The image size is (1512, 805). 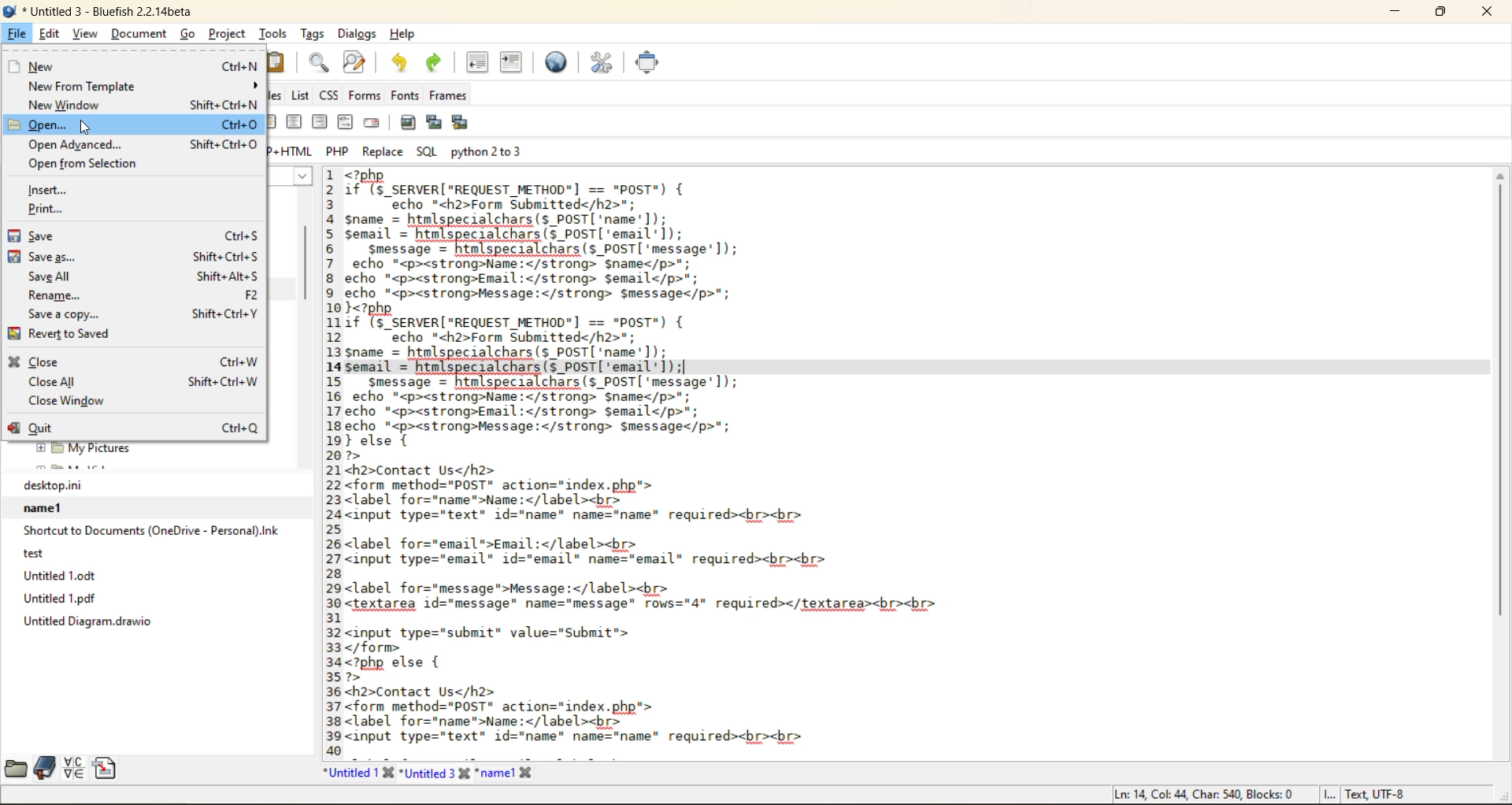 What do you see at coordinates (132, 429) in the screenshot?
I see `quit` at bounding box center [132, 429].